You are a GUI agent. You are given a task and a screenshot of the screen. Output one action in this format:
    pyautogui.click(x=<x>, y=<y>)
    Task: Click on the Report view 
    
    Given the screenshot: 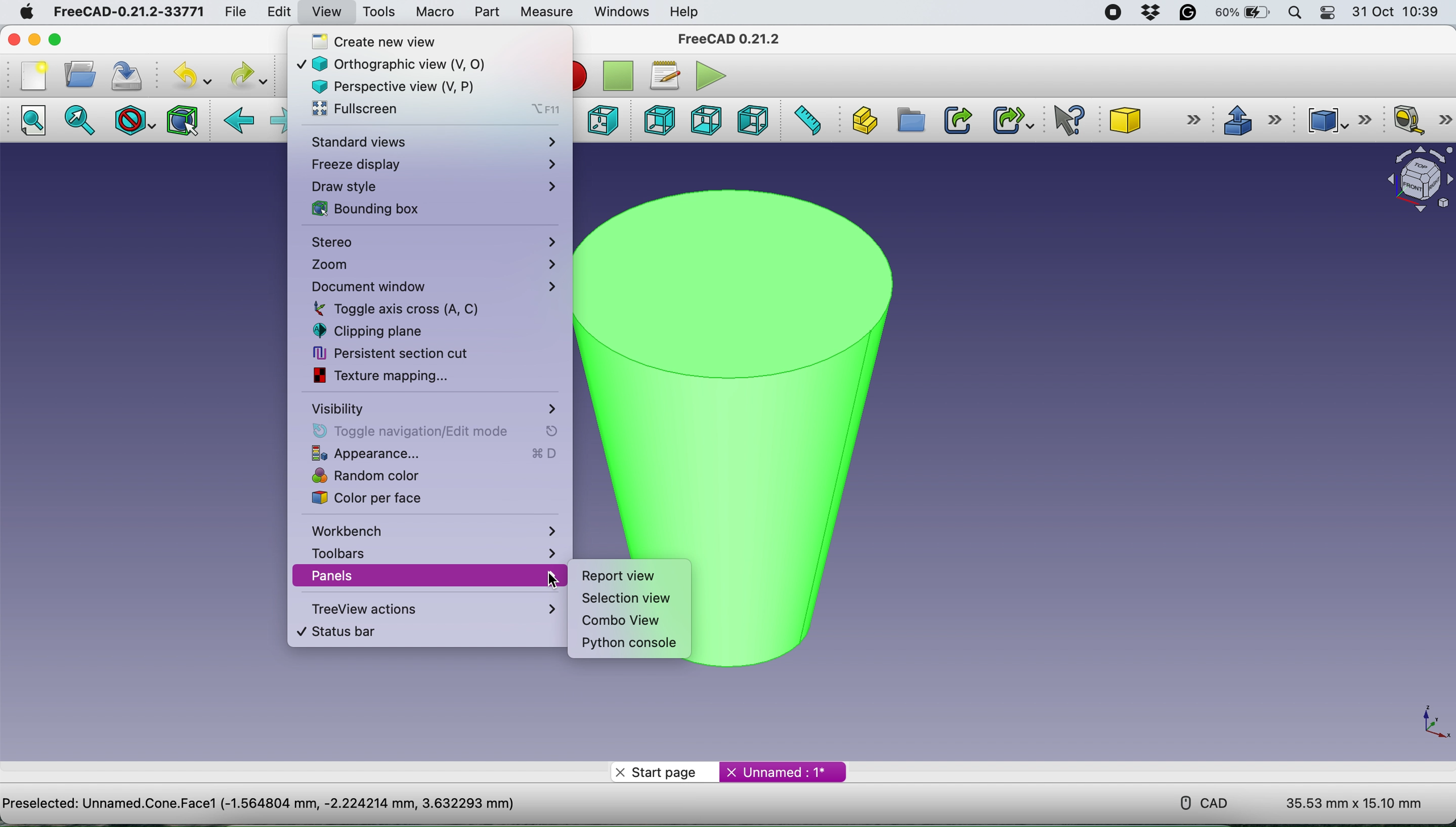 What is the action you would take?
    pyautogui.click(x=620, y=577)
    